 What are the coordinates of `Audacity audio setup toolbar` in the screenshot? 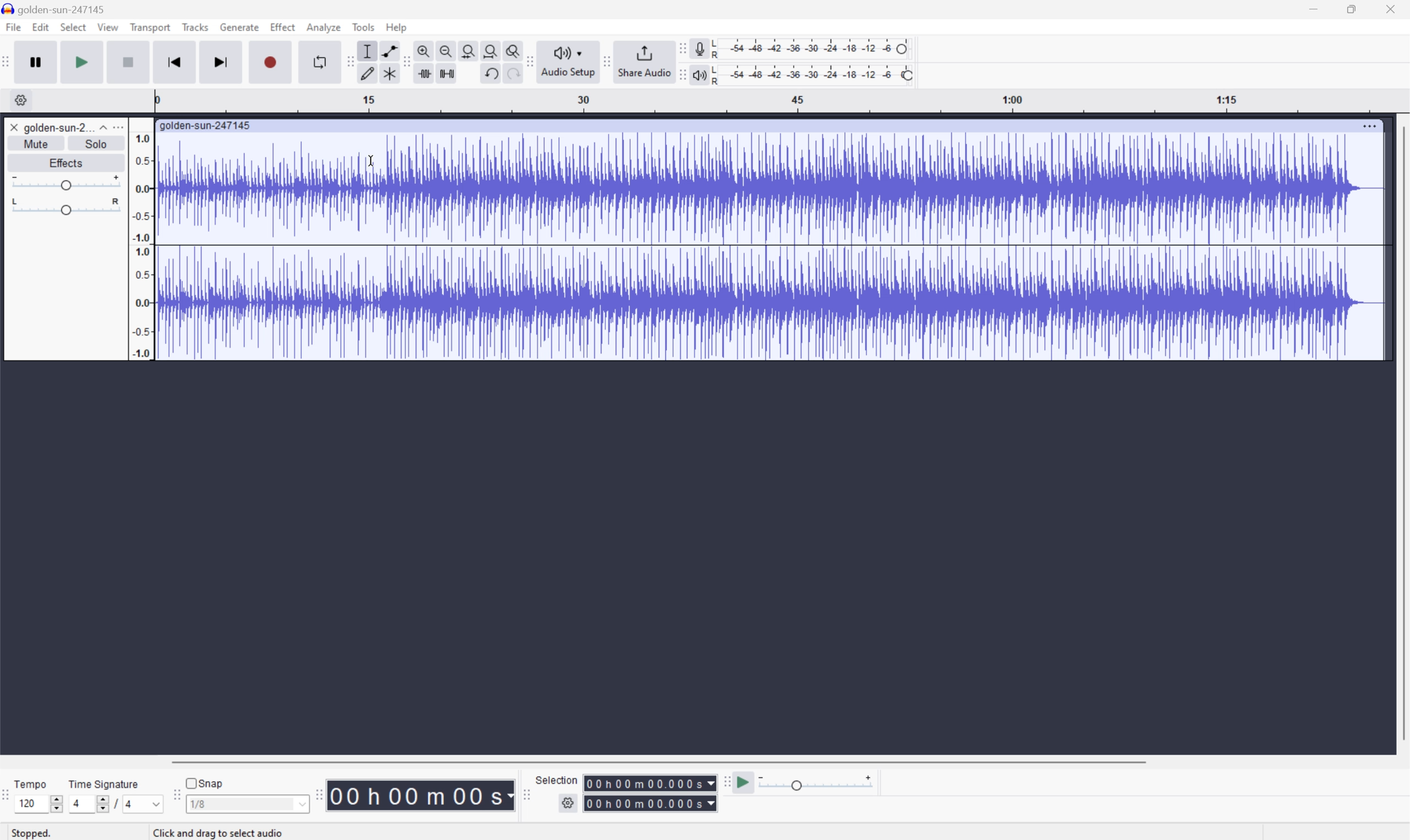 It's located at (529, 61).